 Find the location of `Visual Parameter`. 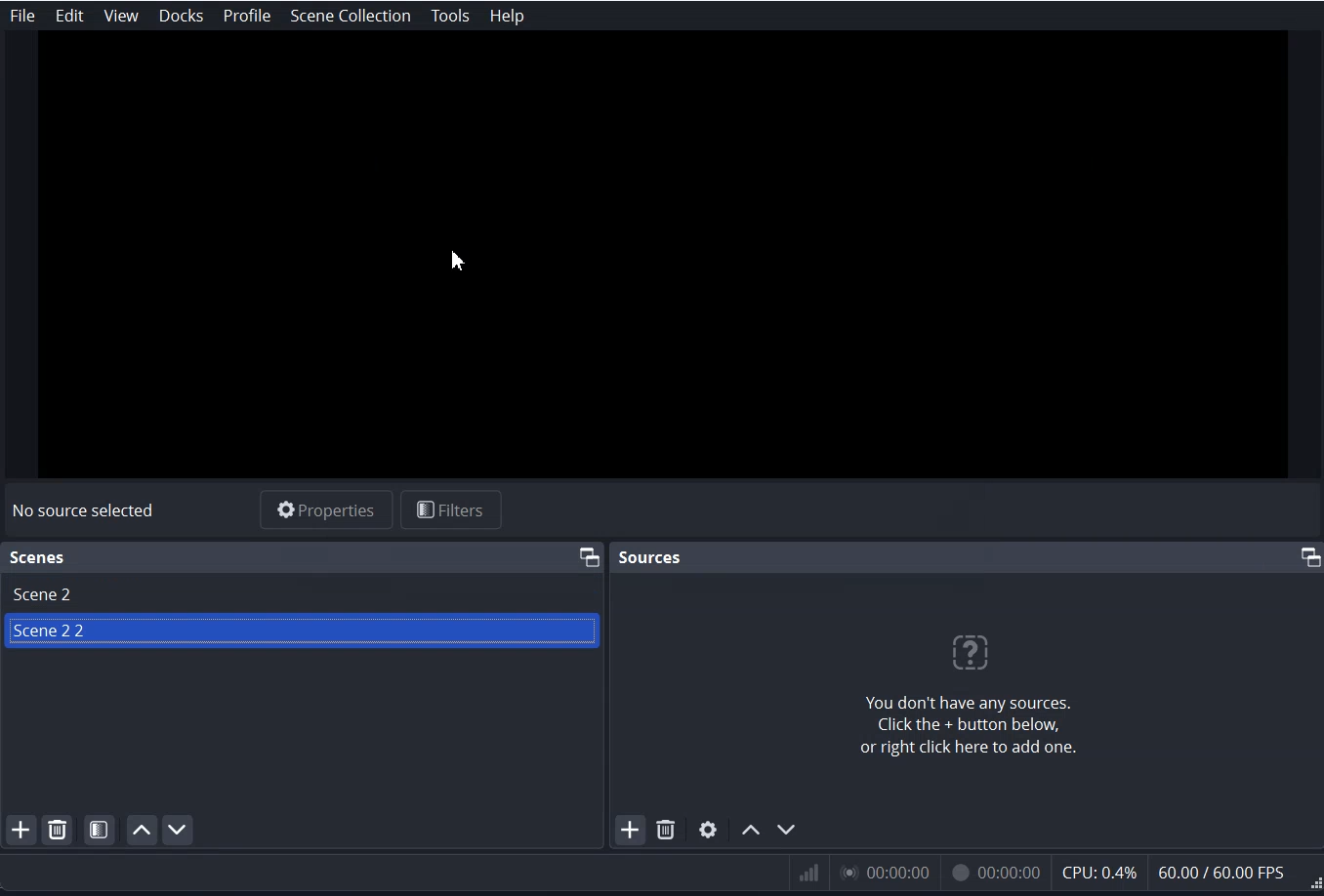

Visual Parameter is located at coordinates (1053, 875).